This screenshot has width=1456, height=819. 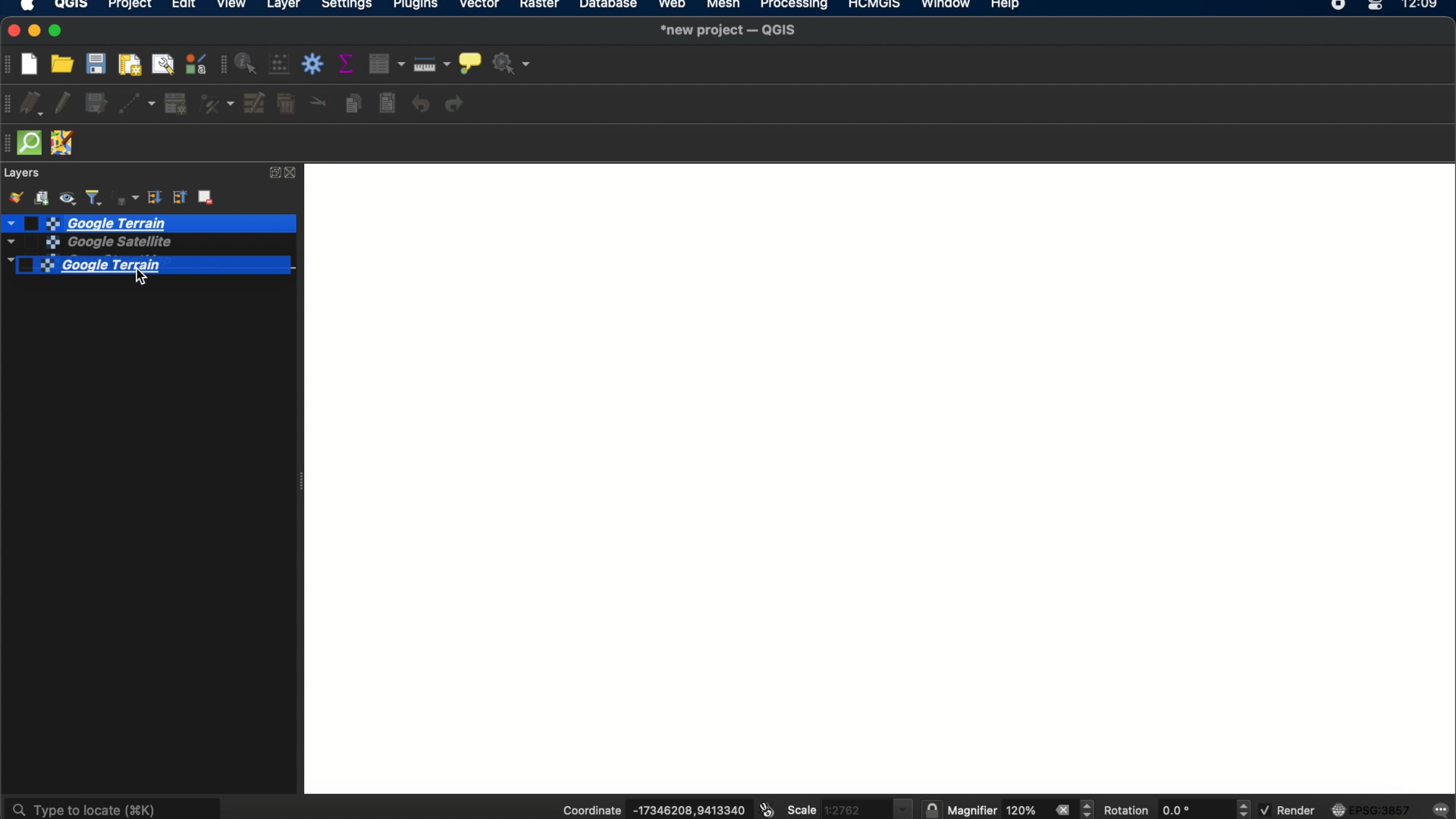 I want to click on magnifier 120%, so click(x=996, y=811).